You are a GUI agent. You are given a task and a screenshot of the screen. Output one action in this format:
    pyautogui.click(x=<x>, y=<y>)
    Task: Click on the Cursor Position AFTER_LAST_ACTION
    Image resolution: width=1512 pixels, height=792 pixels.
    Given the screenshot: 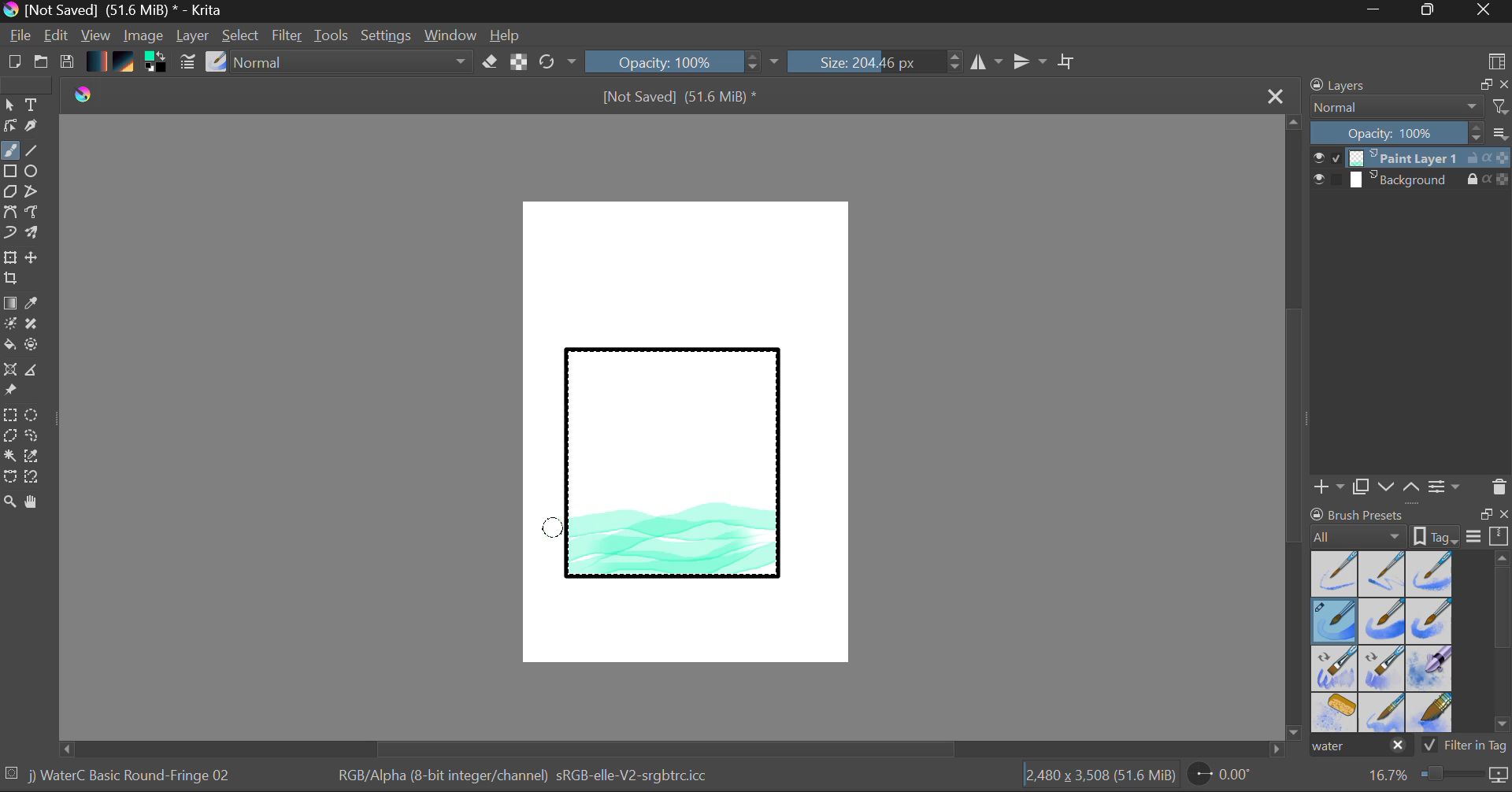 What is the action you would take?
    pyautogui.click(x=563, y=534)
    